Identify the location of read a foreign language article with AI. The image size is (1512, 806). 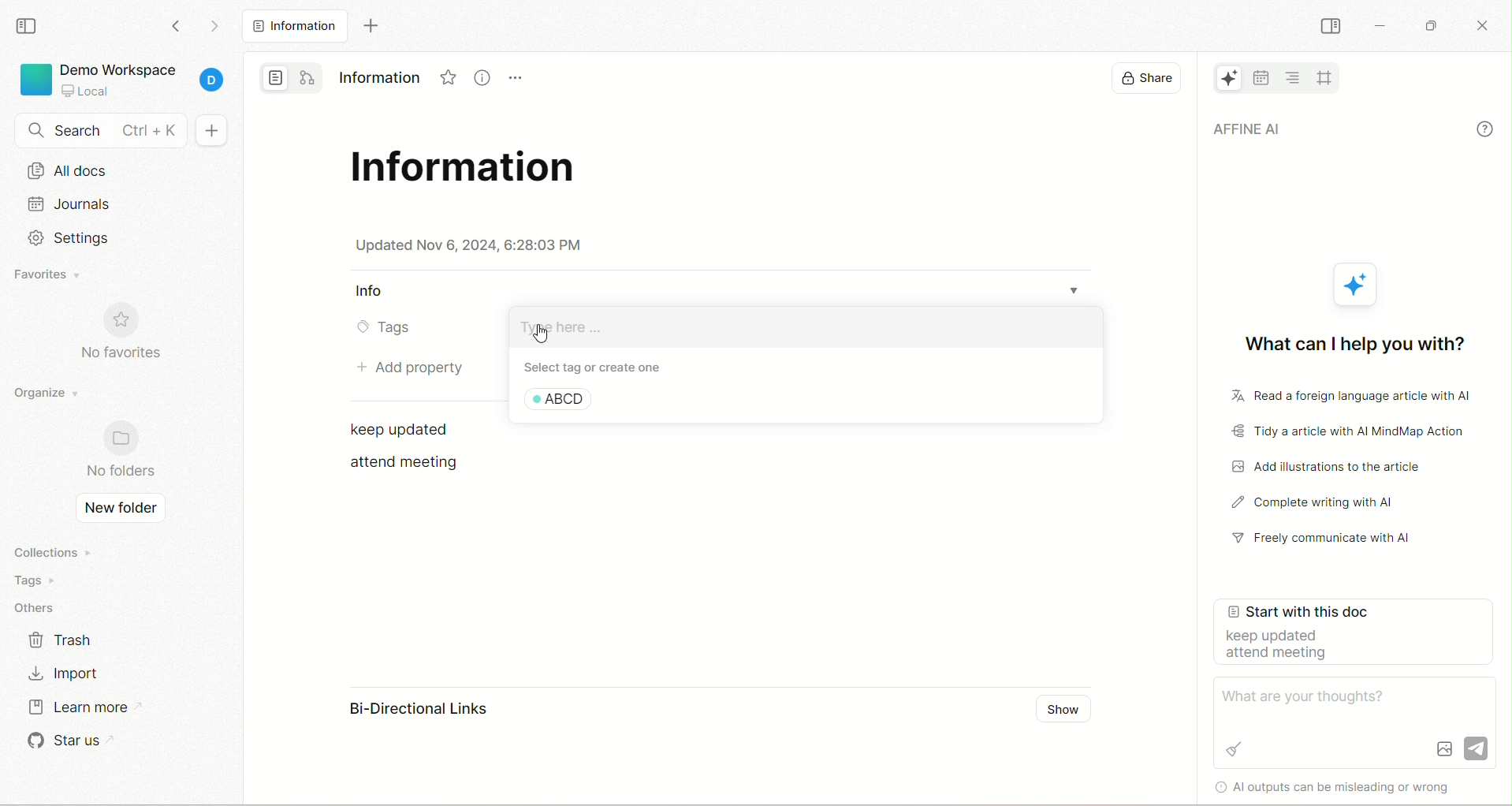
(1342, 397).